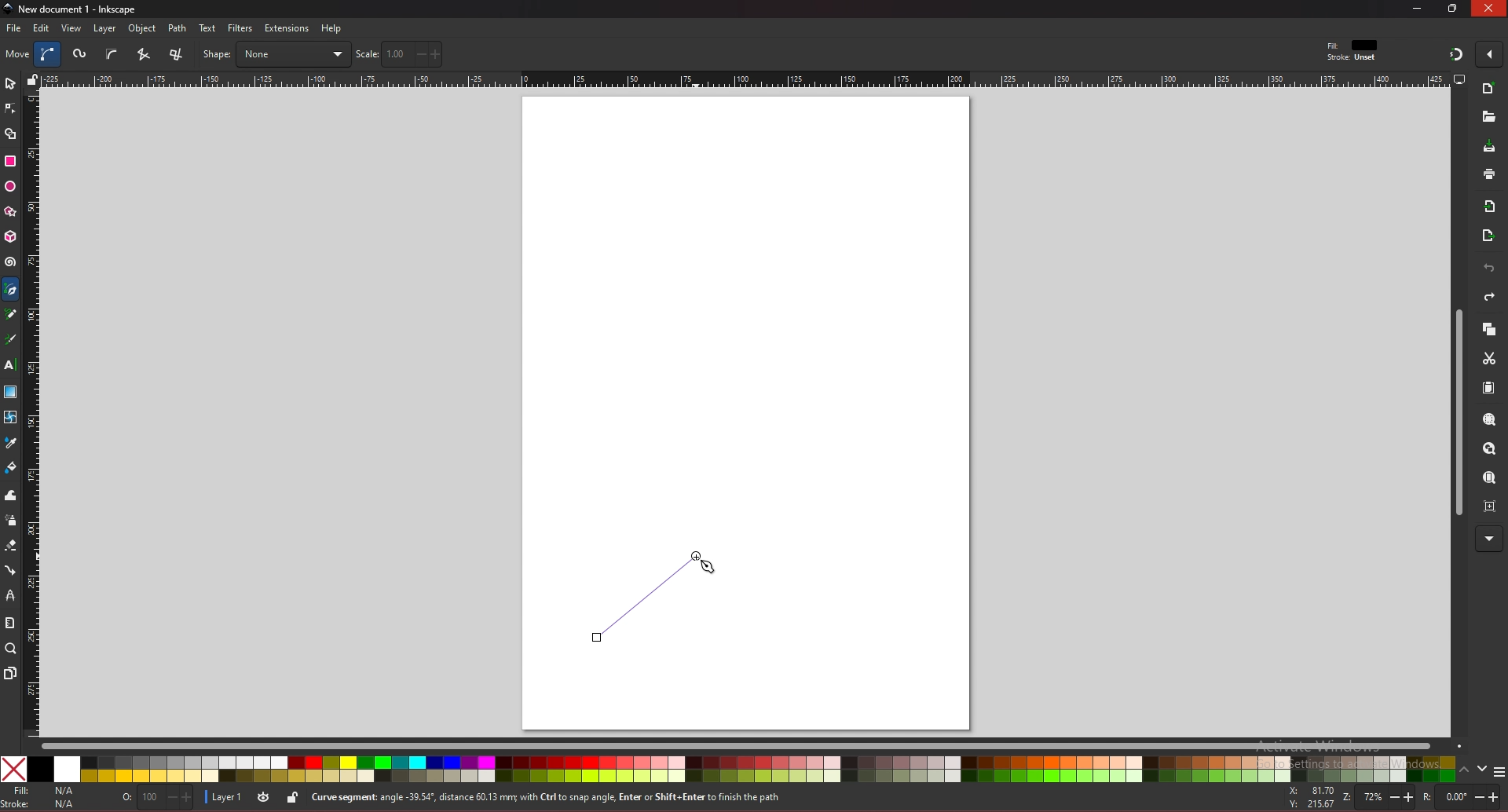 Image resolution: width=1508 pixels, height=812 pixels. What do you see at coordinates (13, 28) in the screenshot?
I see `file` at bounding box center [13, 28].